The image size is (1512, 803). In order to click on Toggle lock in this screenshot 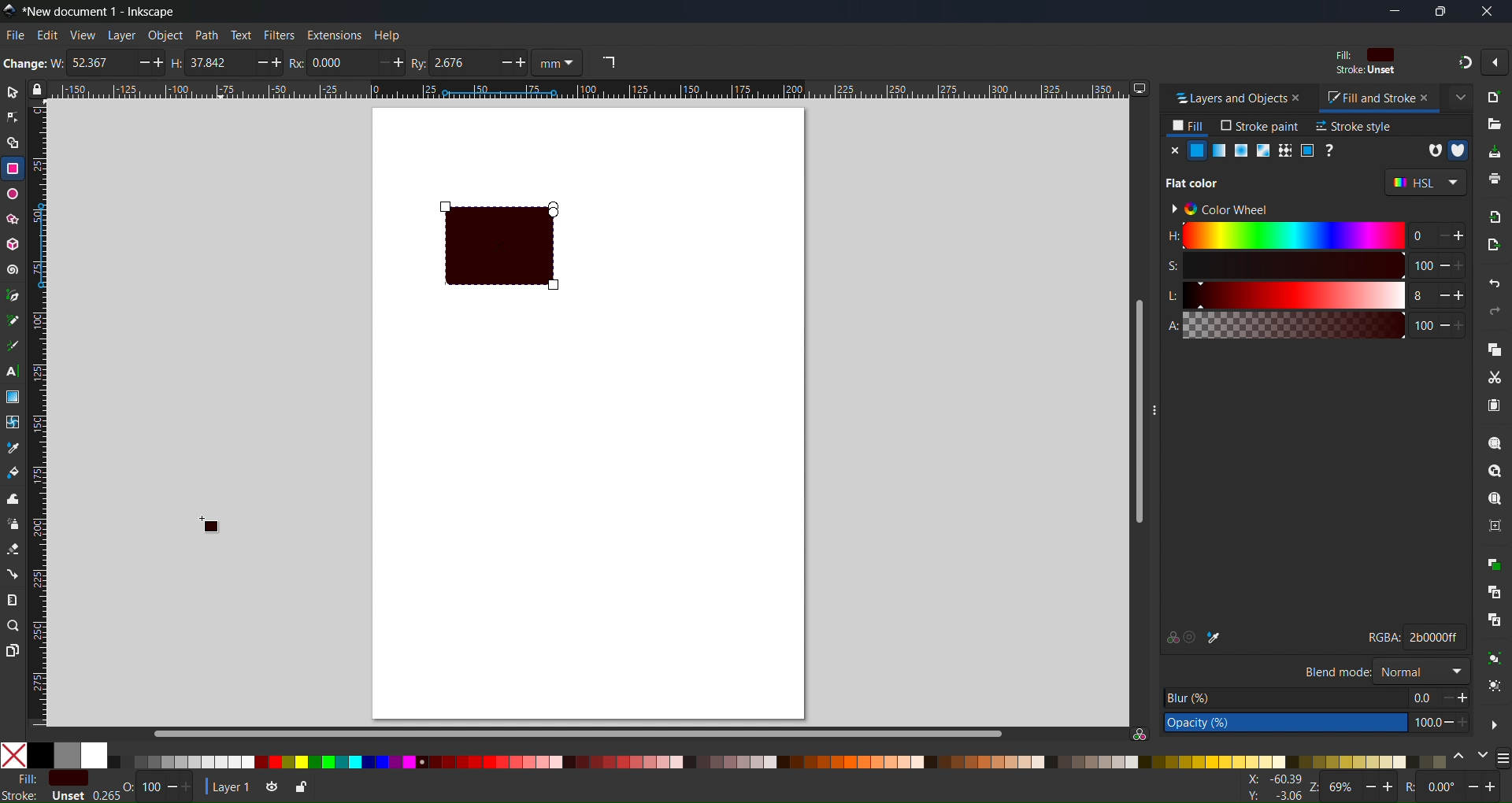, I will do `click(41, 90)`.